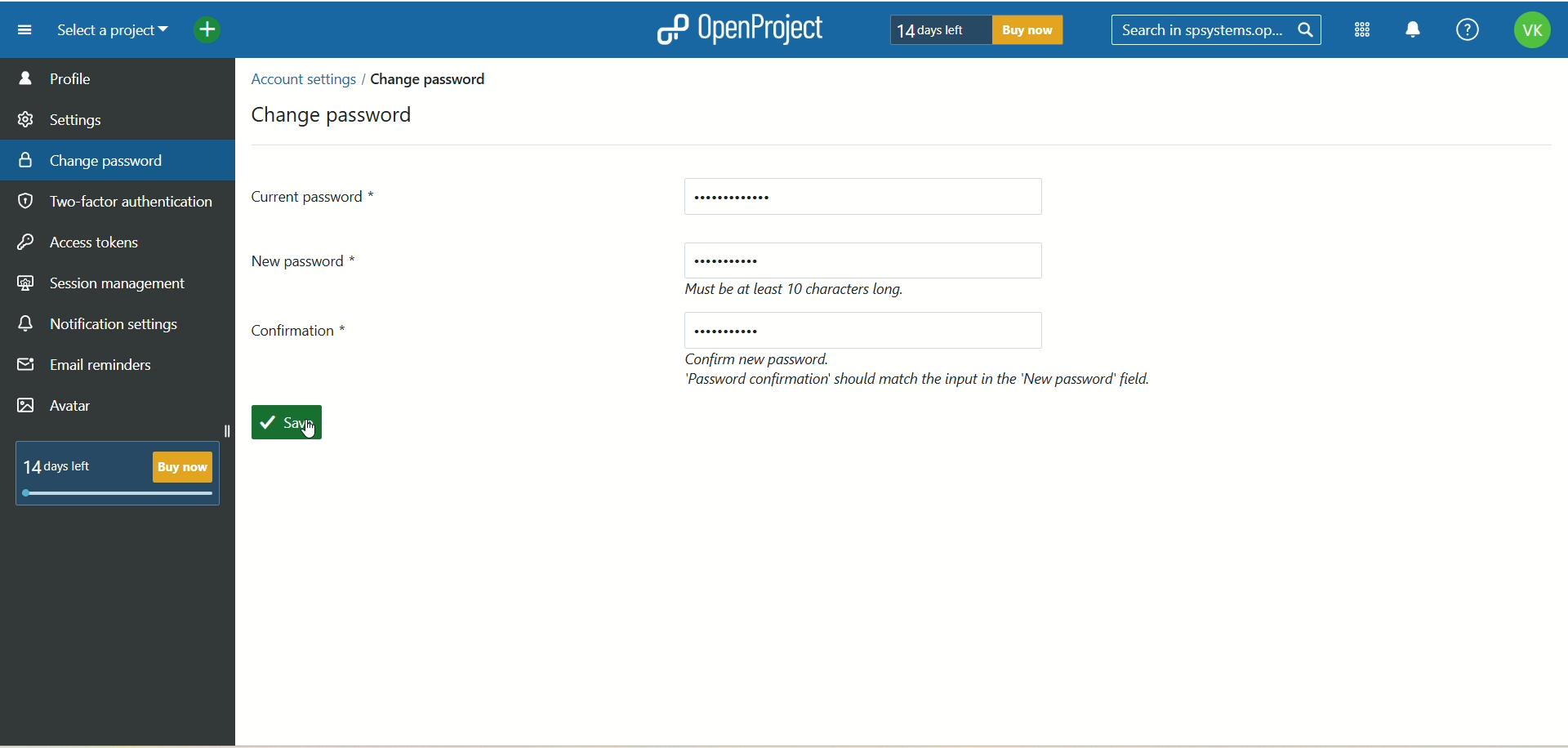 Image resolution: width=1568 pixels, height=748 pixels. I want to click on change password, so click(91, 159).